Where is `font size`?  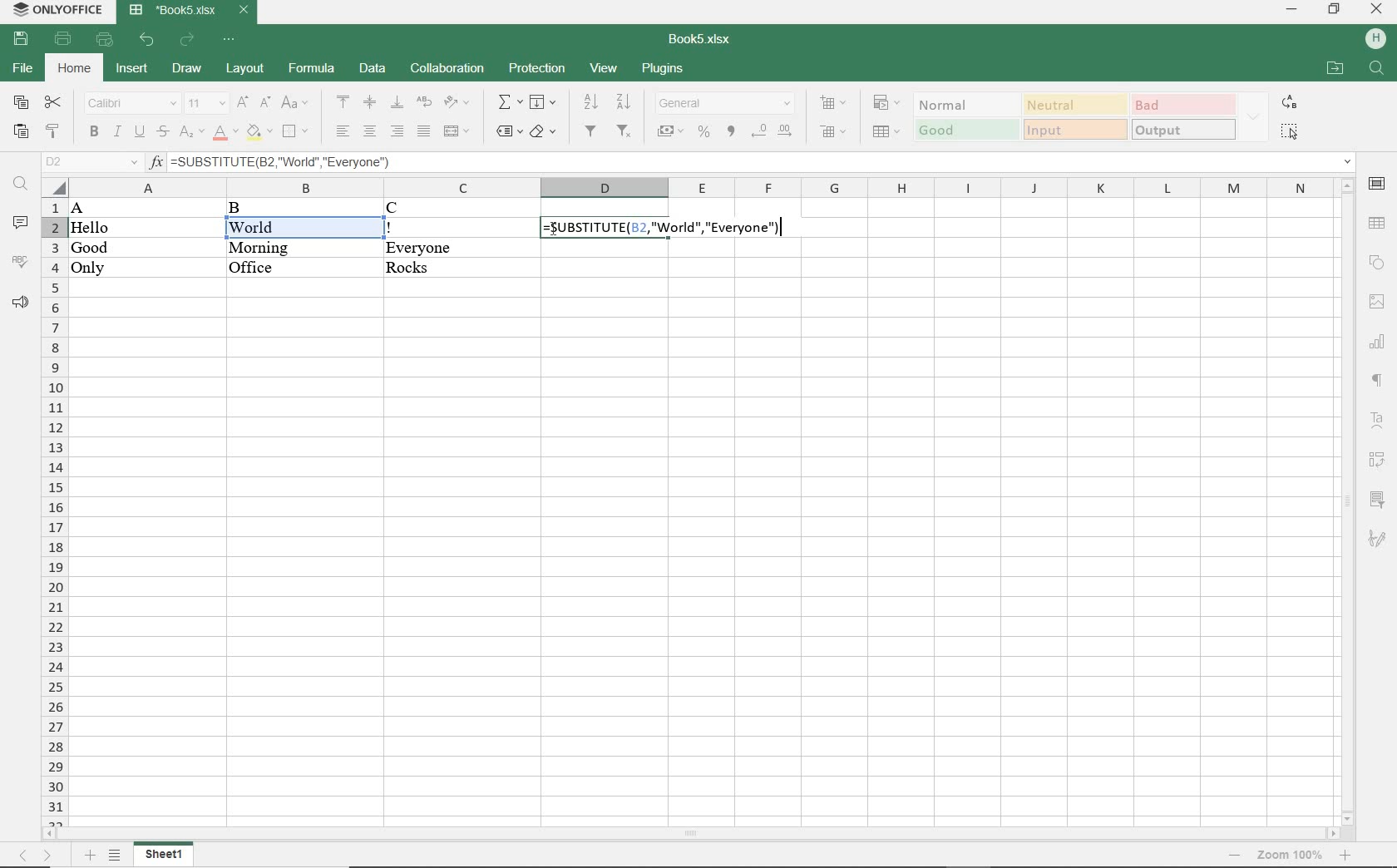 font size is located at coordinates (206, 104).